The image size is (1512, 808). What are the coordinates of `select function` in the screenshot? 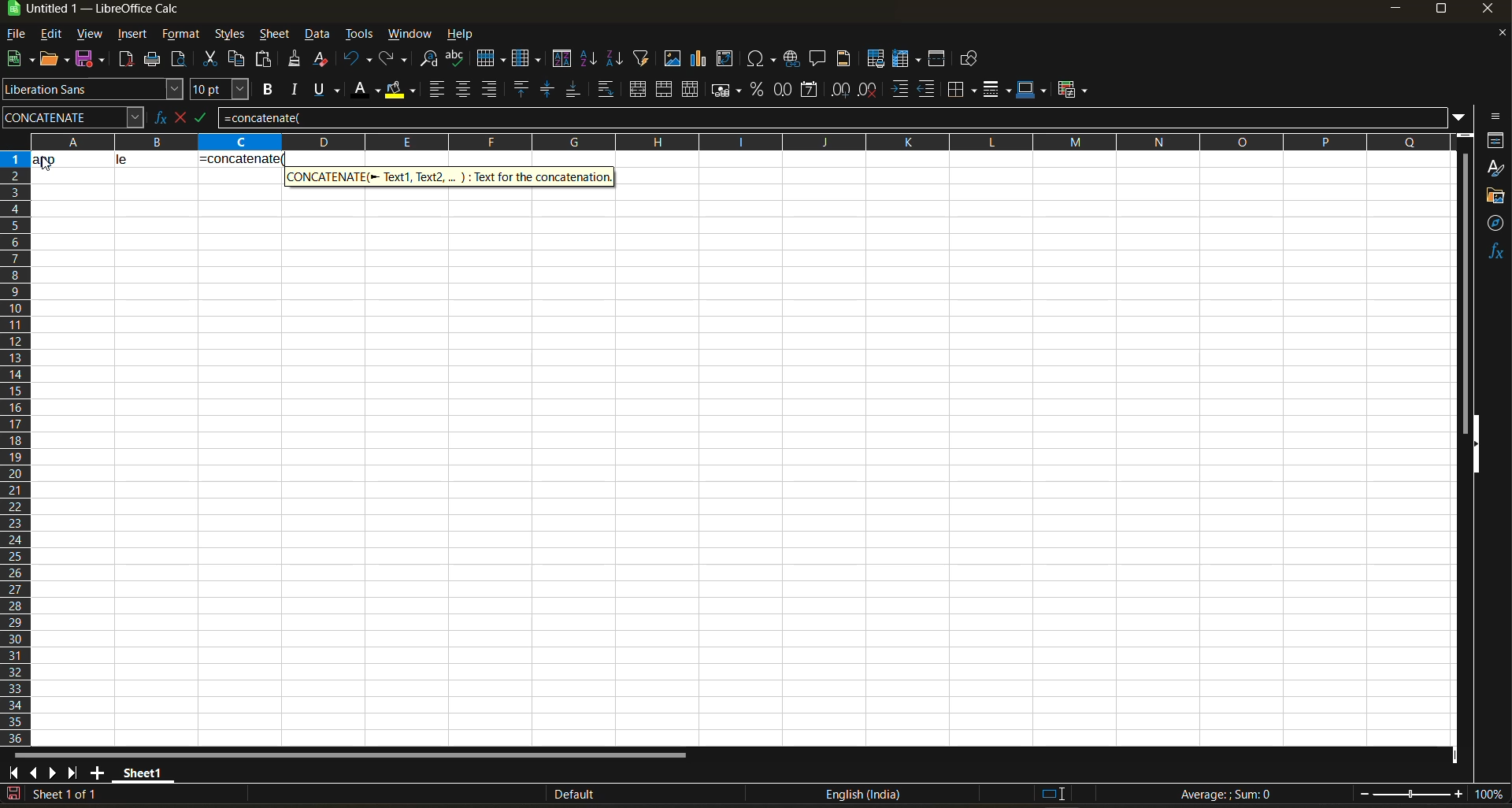 It's located at (183, 116).